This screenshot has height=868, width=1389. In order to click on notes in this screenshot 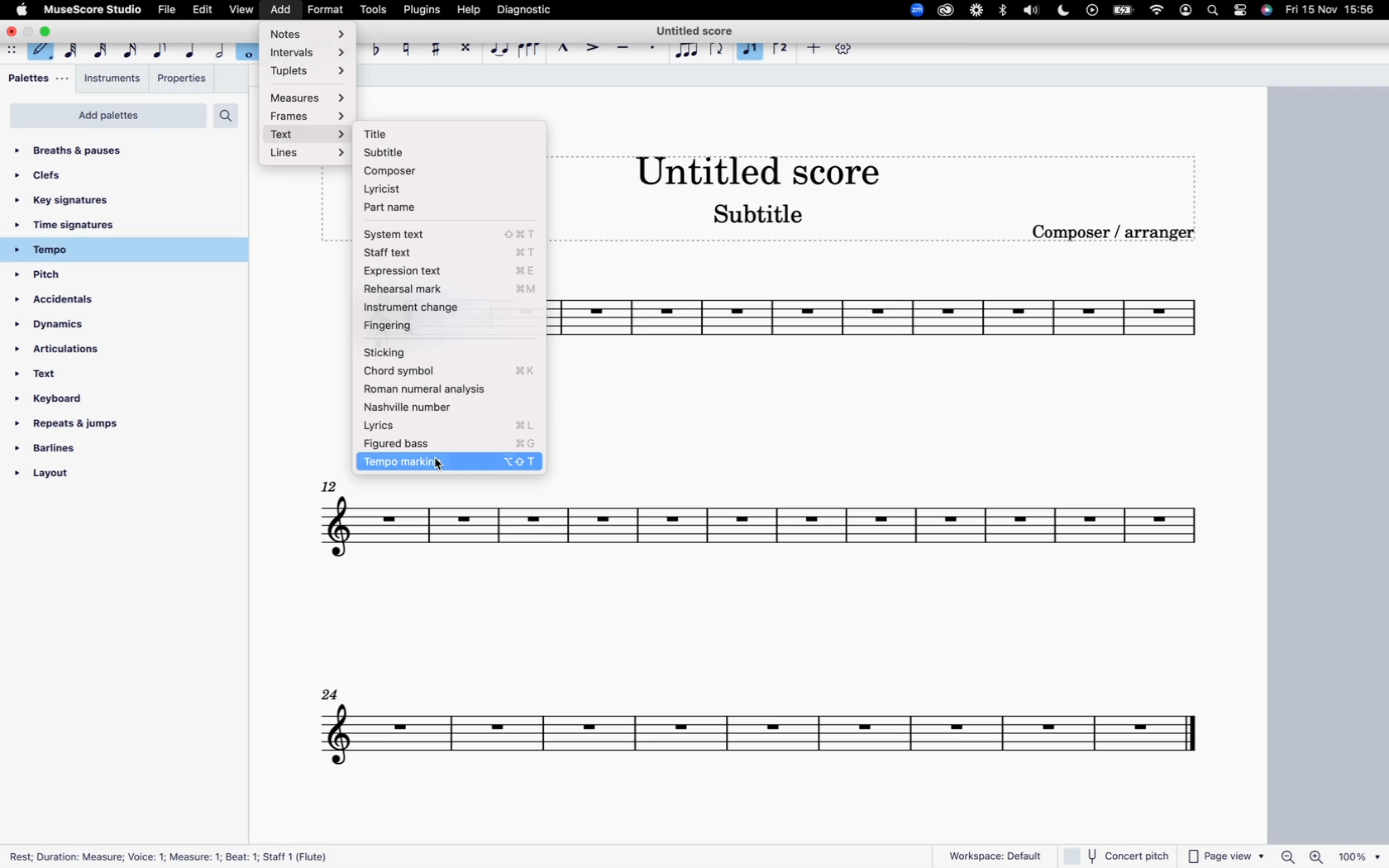, I will do `click(311, 36)`.